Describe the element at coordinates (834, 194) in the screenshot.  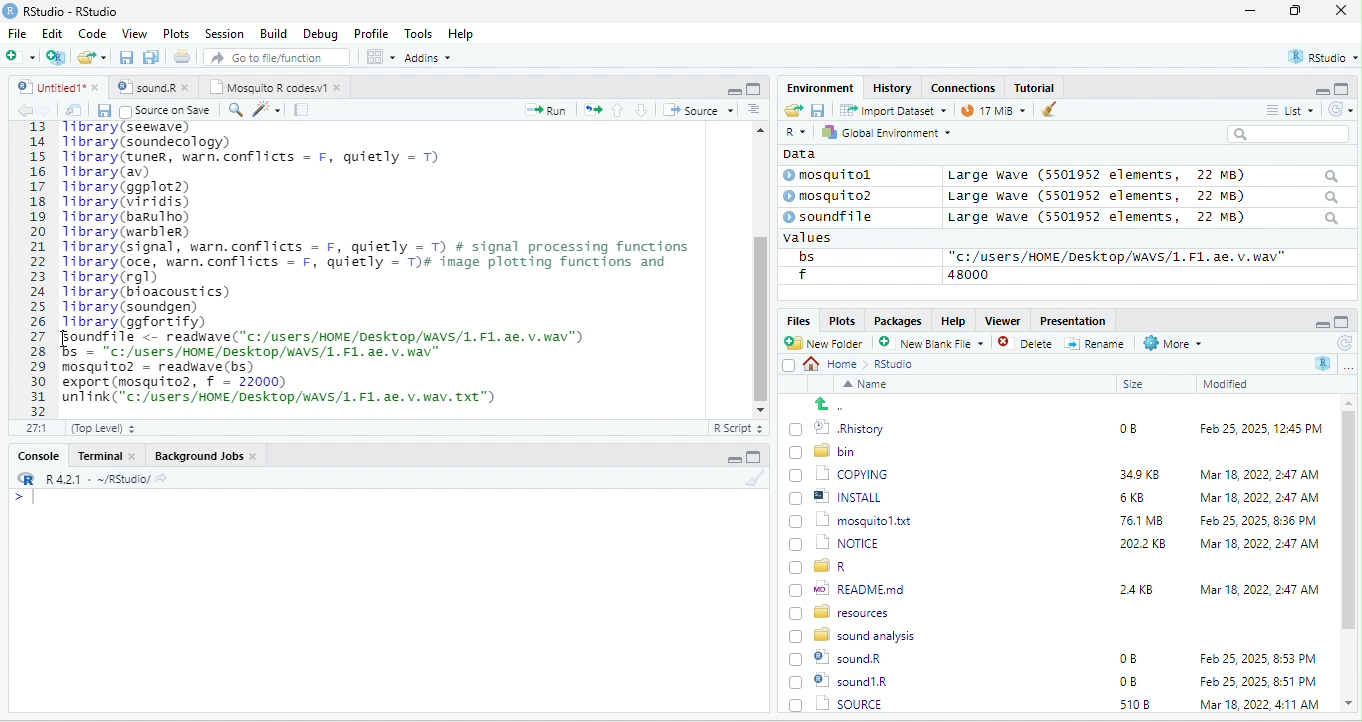
I see `© mosquito?` at that location.